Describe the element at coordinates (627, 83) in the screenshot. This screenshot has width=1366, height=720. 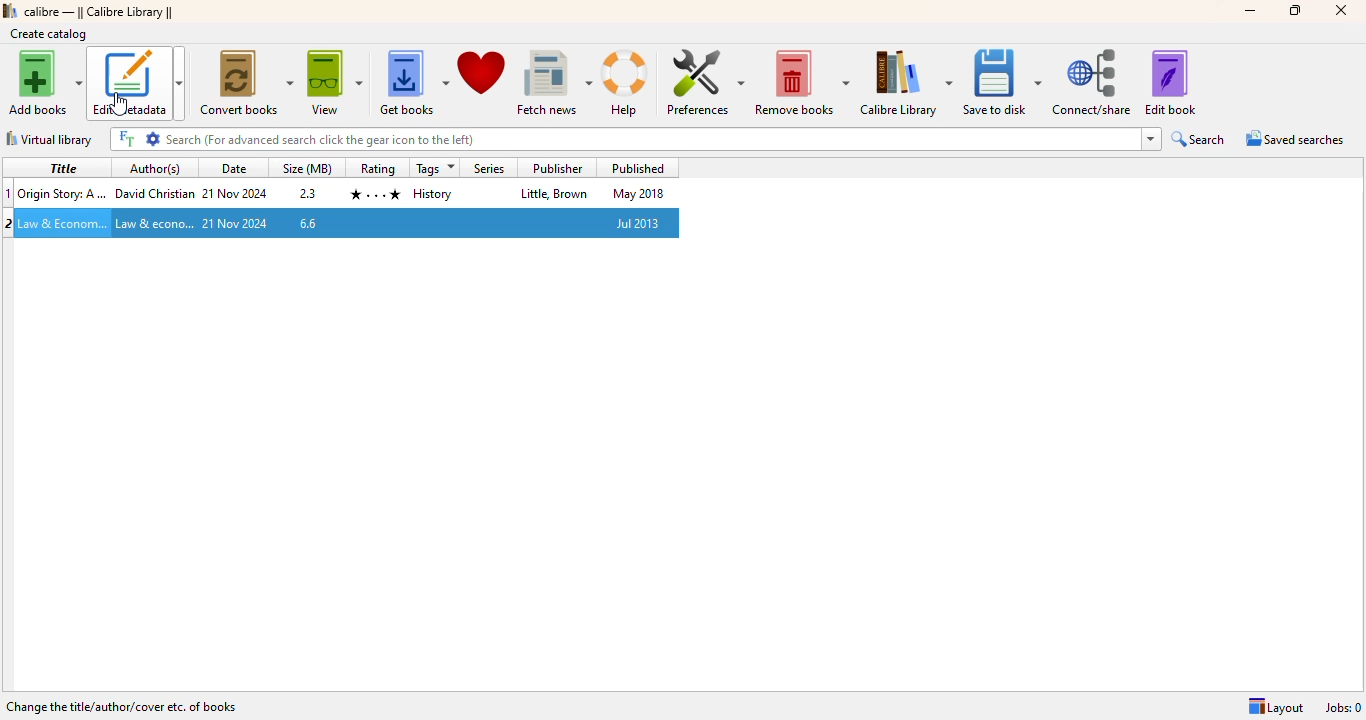
I see `help` at that location.